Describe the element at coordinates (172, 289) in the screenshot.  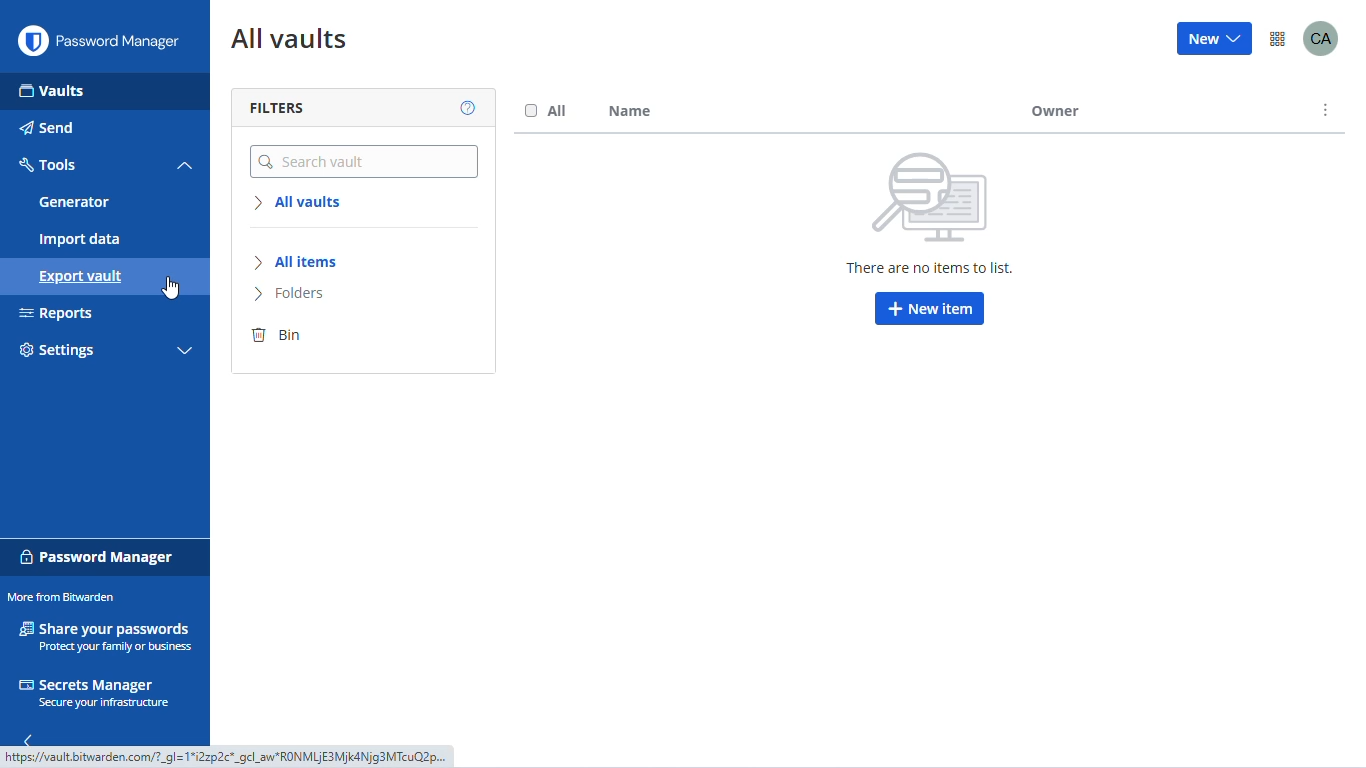
I see `cursor` at that location.